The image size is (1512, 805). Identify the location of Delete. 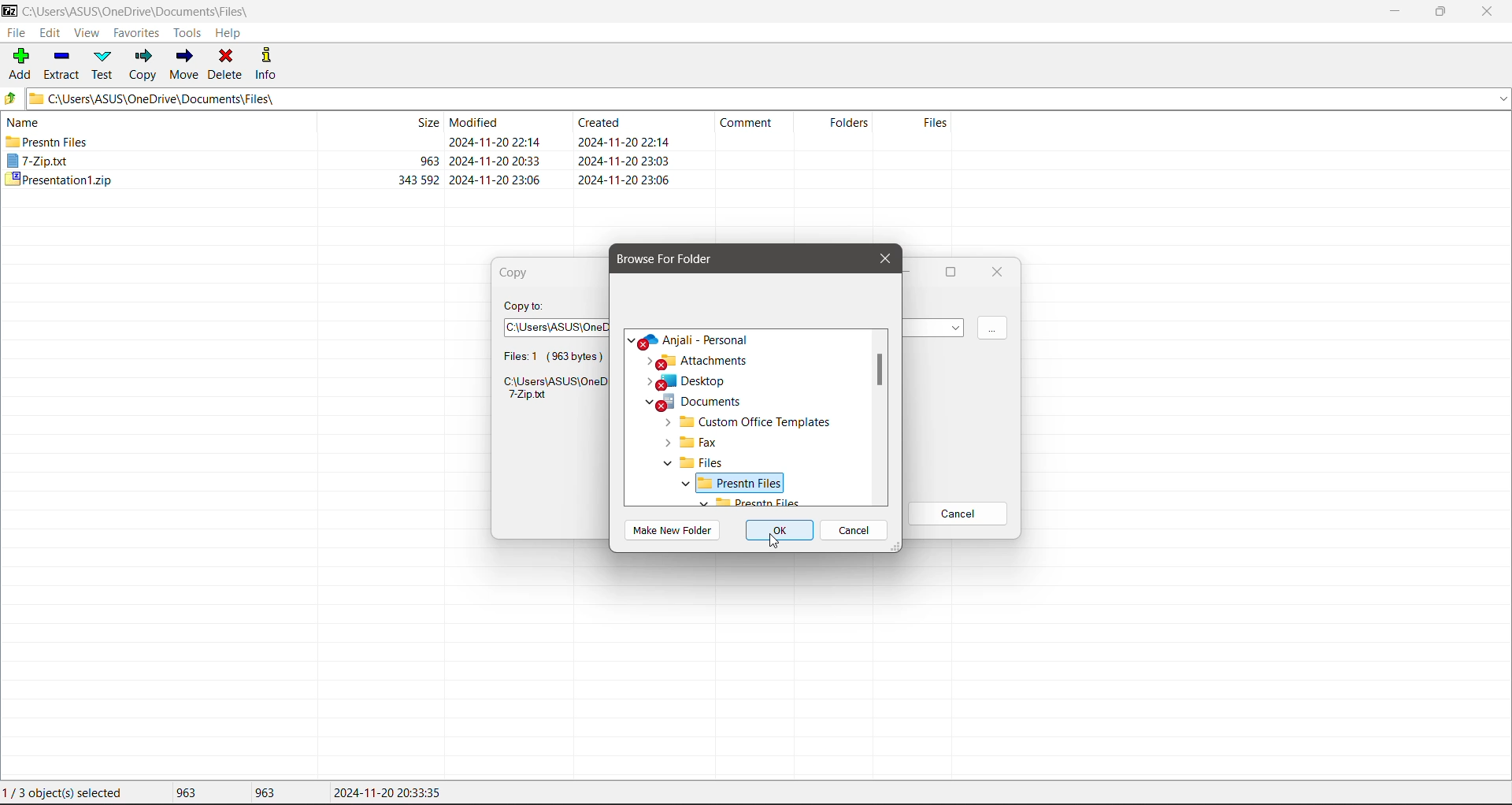
(227, 63).